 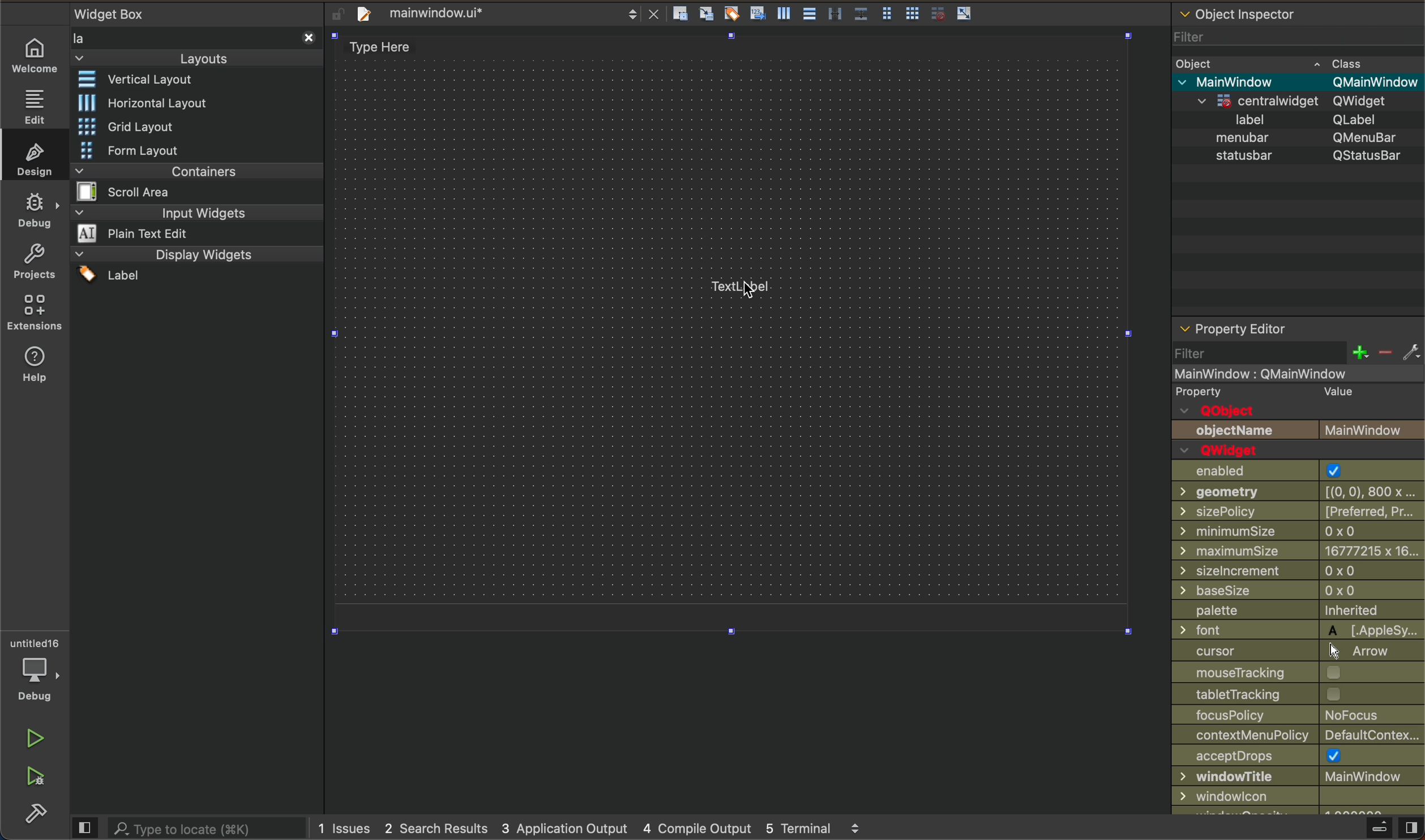 I want to click on 2 search result, so click(x=441, y=828).